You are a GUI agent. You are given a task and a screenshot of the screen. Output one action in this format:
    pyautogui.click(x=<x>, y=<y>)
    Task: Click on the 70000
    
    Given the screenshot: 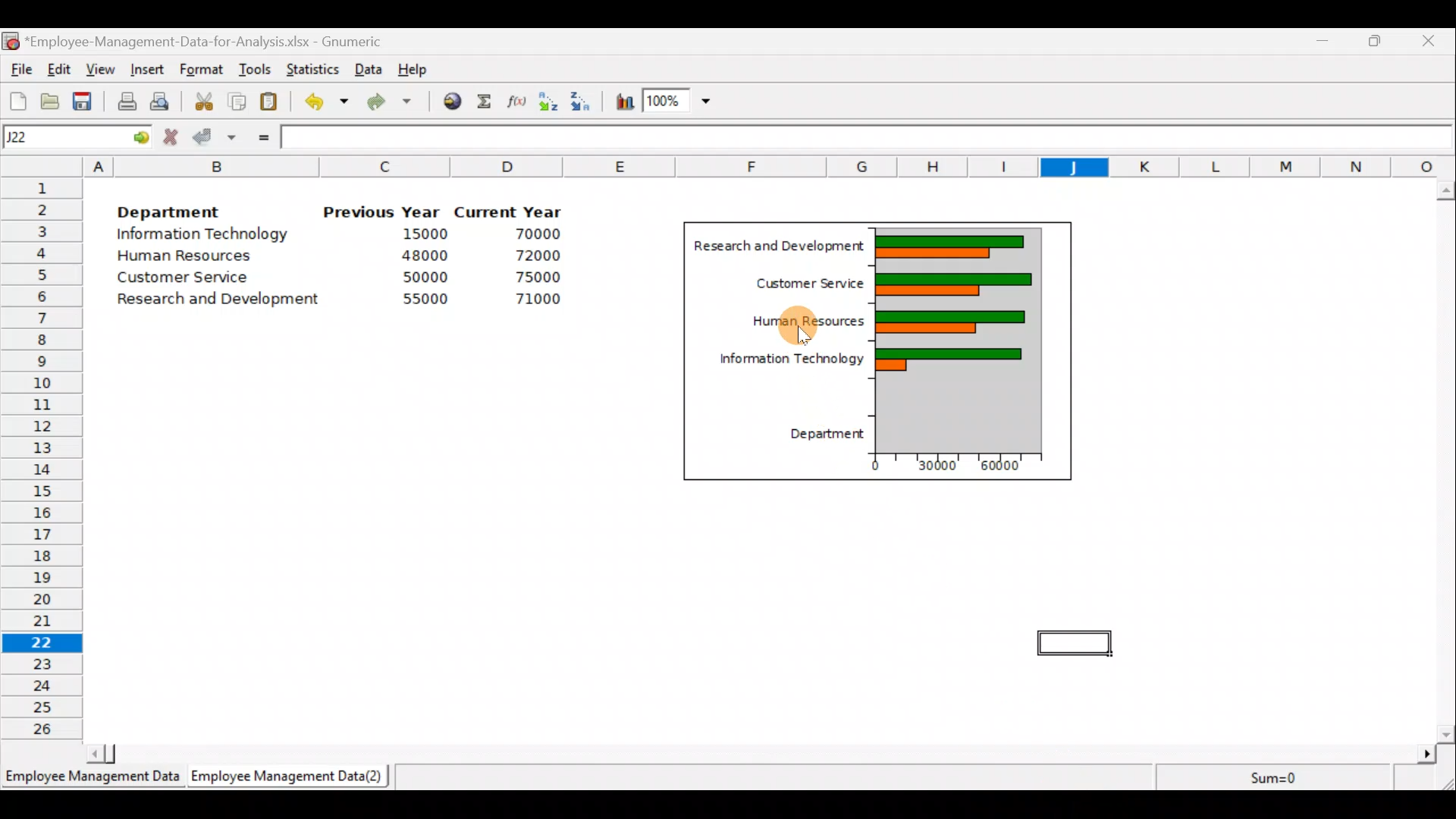 What is the action you would take?
    pyautogui.click(x=538, y=233)
    